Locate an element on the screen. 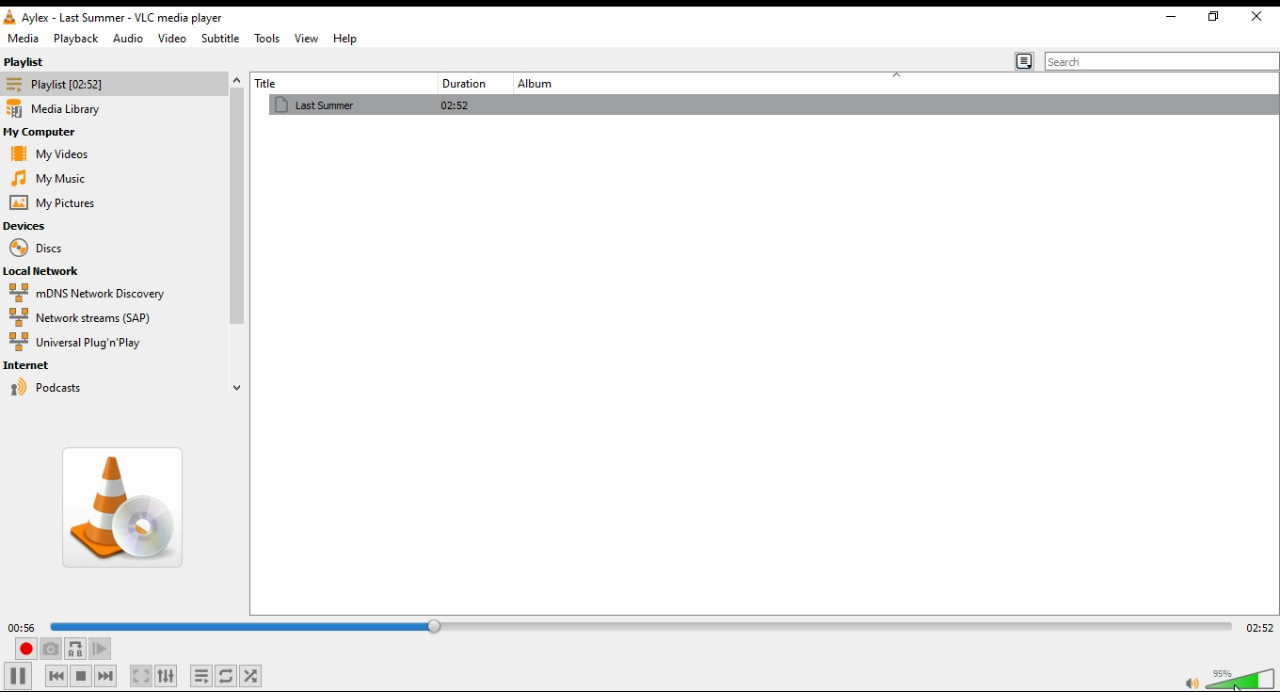 The image size is (1280, 692). 00:56 is located at coordinates (24, 627).